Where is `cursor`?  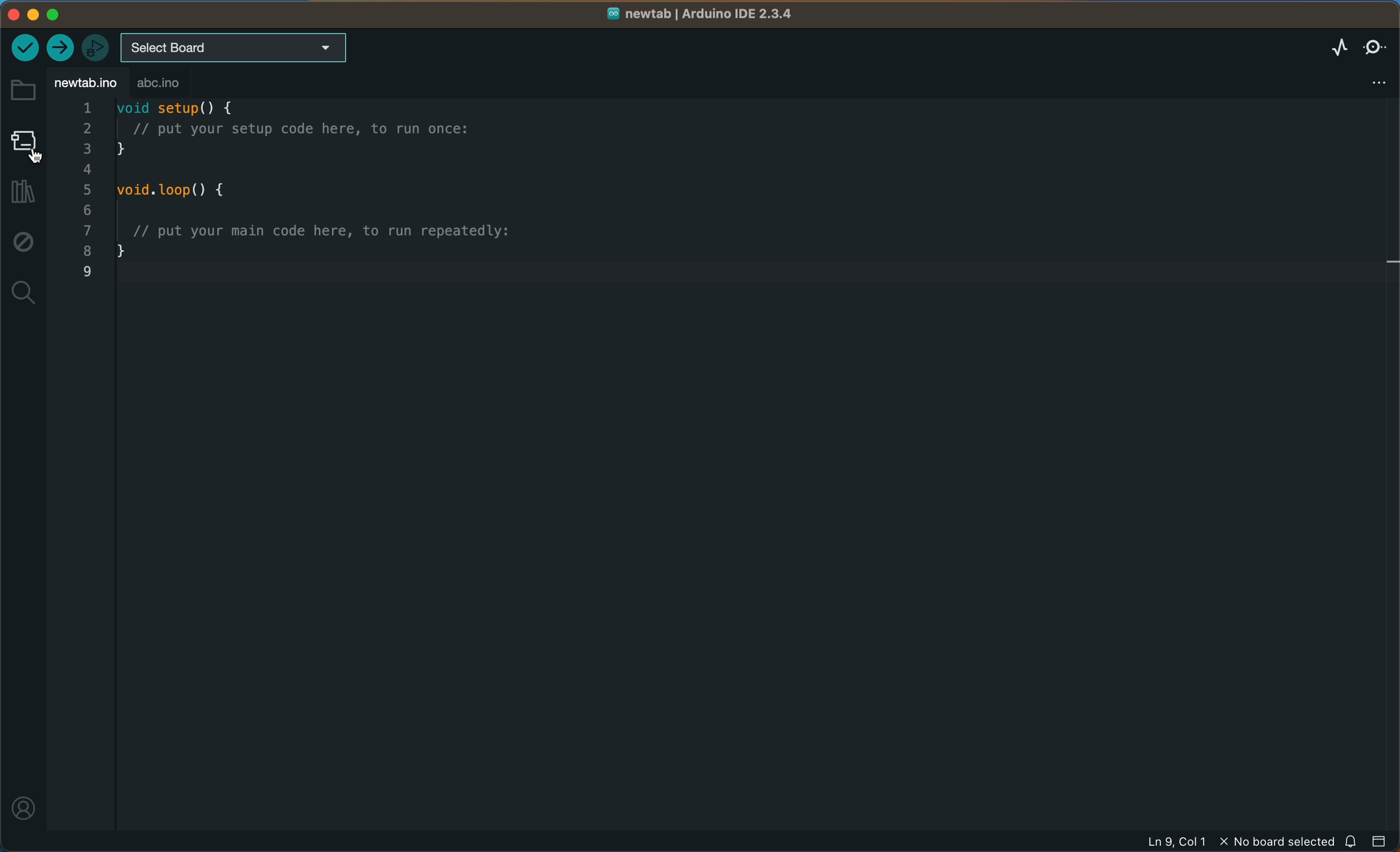 cursor is located at coordinates (40, 155).